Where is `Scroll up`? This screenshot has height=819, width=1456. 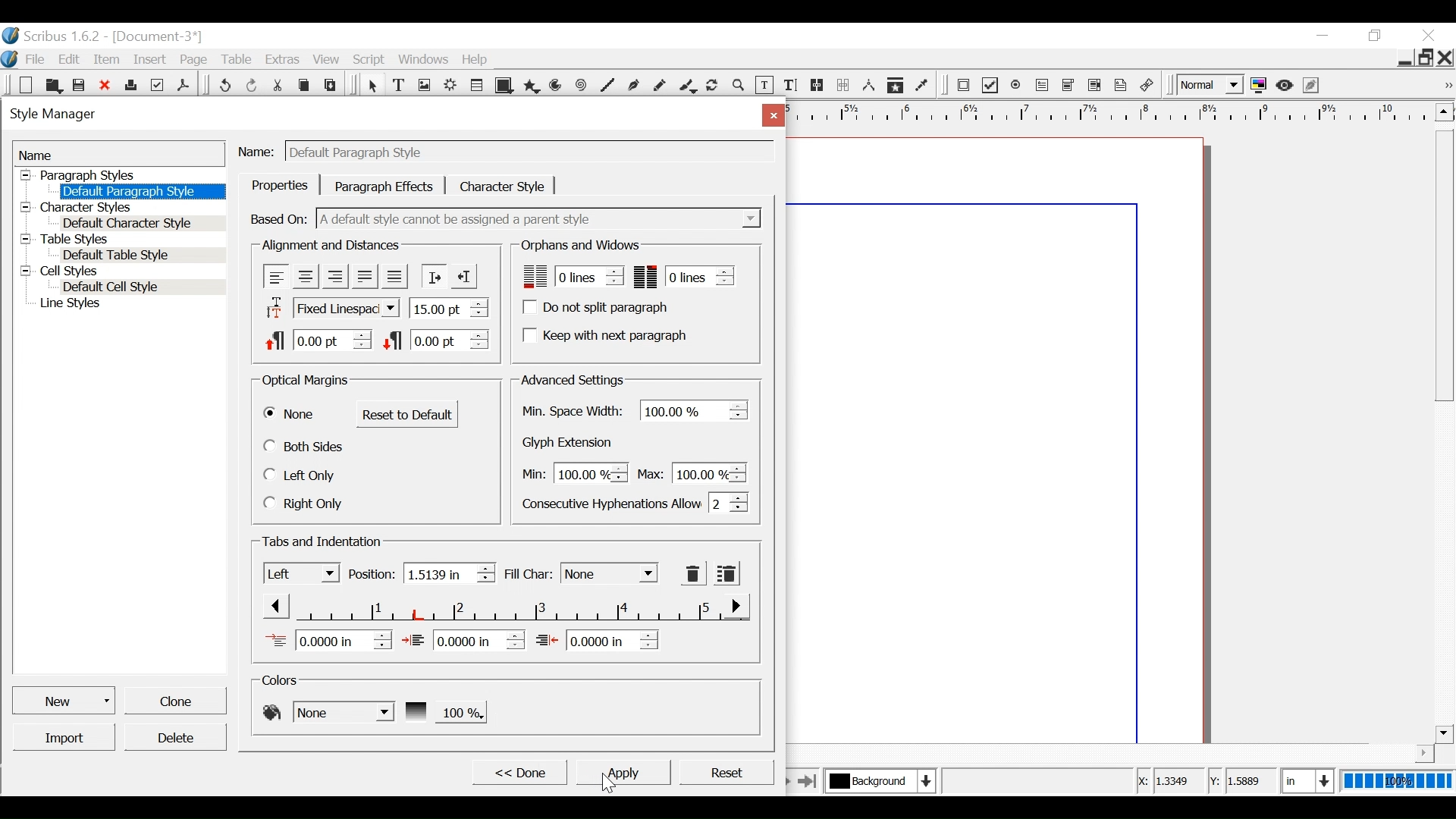 Scroll up is located at coordinates (1442, 111).